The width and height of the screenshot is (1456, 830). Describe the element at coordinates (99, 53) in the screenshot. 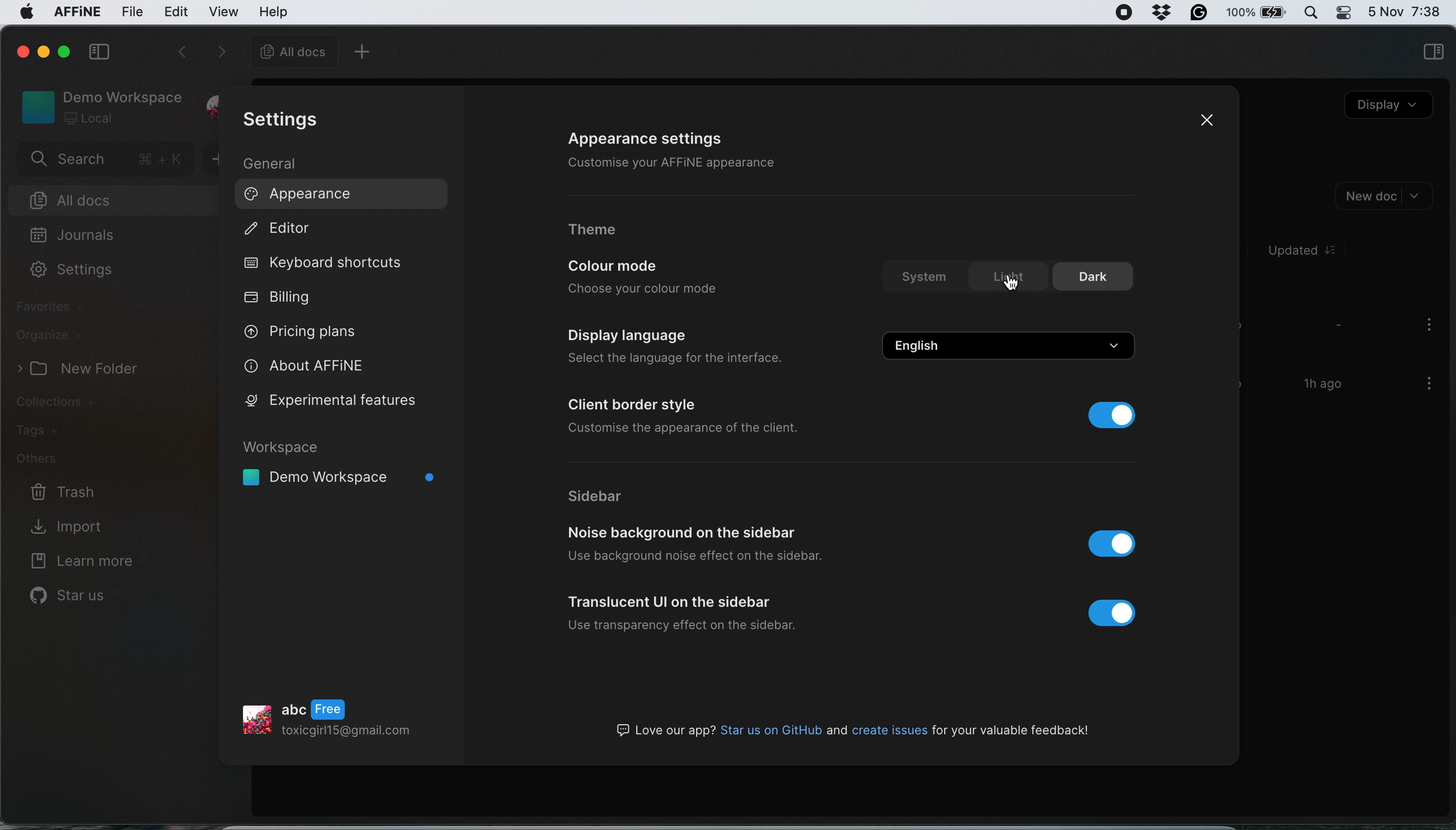

I see `collapse side bar` at that location.